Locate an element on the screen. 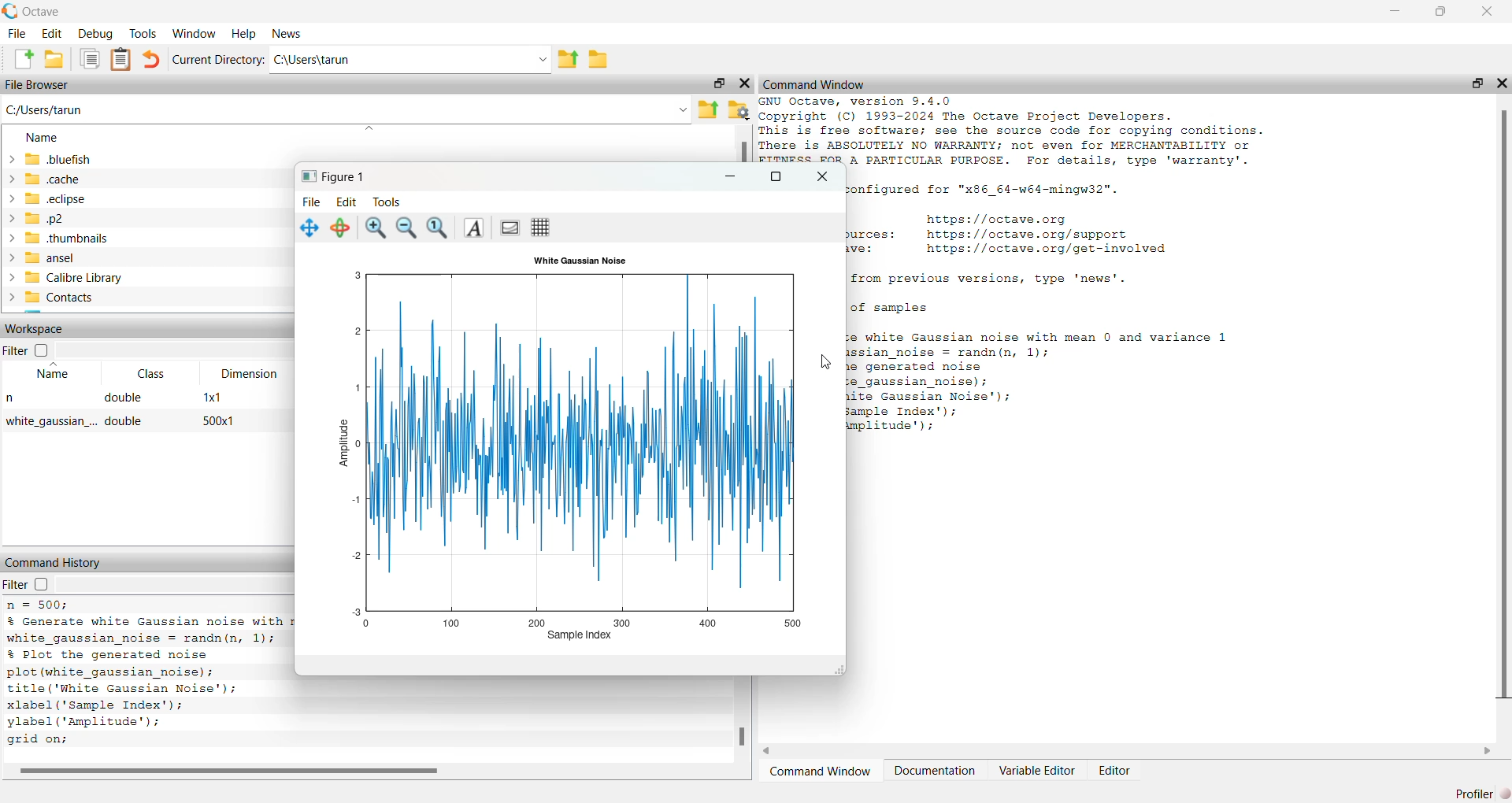  open folder is located at coordinates (54, 59).